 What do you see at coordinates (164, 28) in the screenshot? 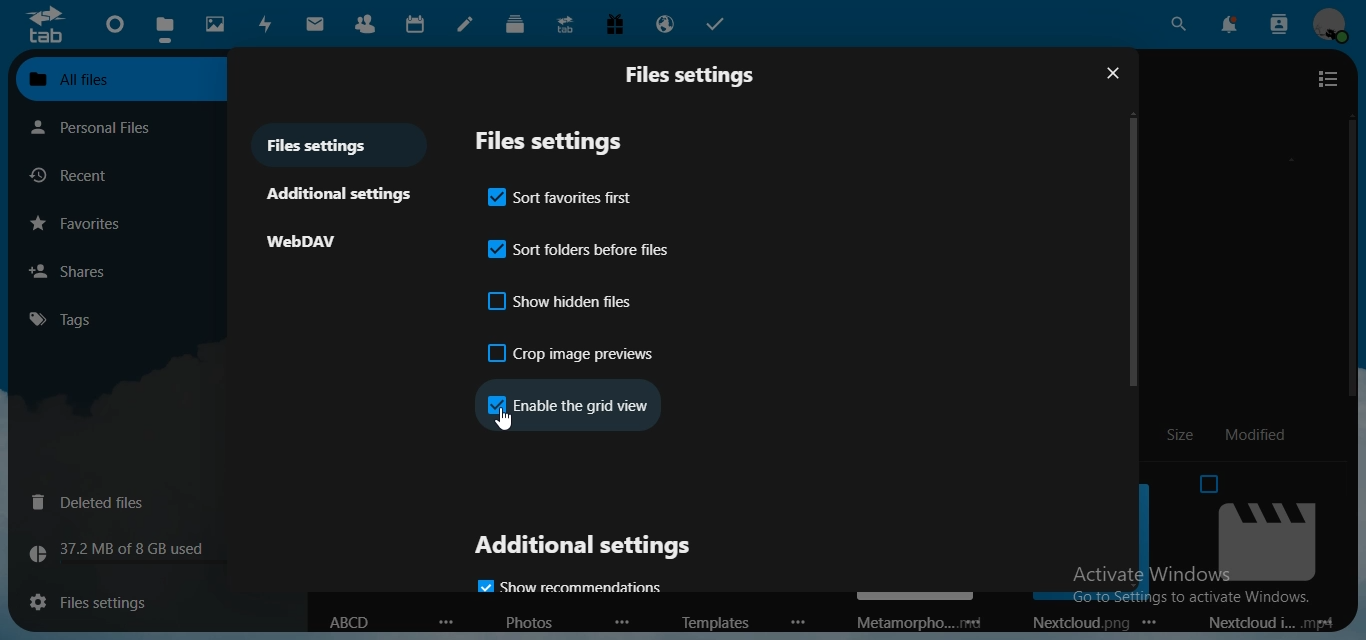
I see `files` at bounding box center [164, 28].